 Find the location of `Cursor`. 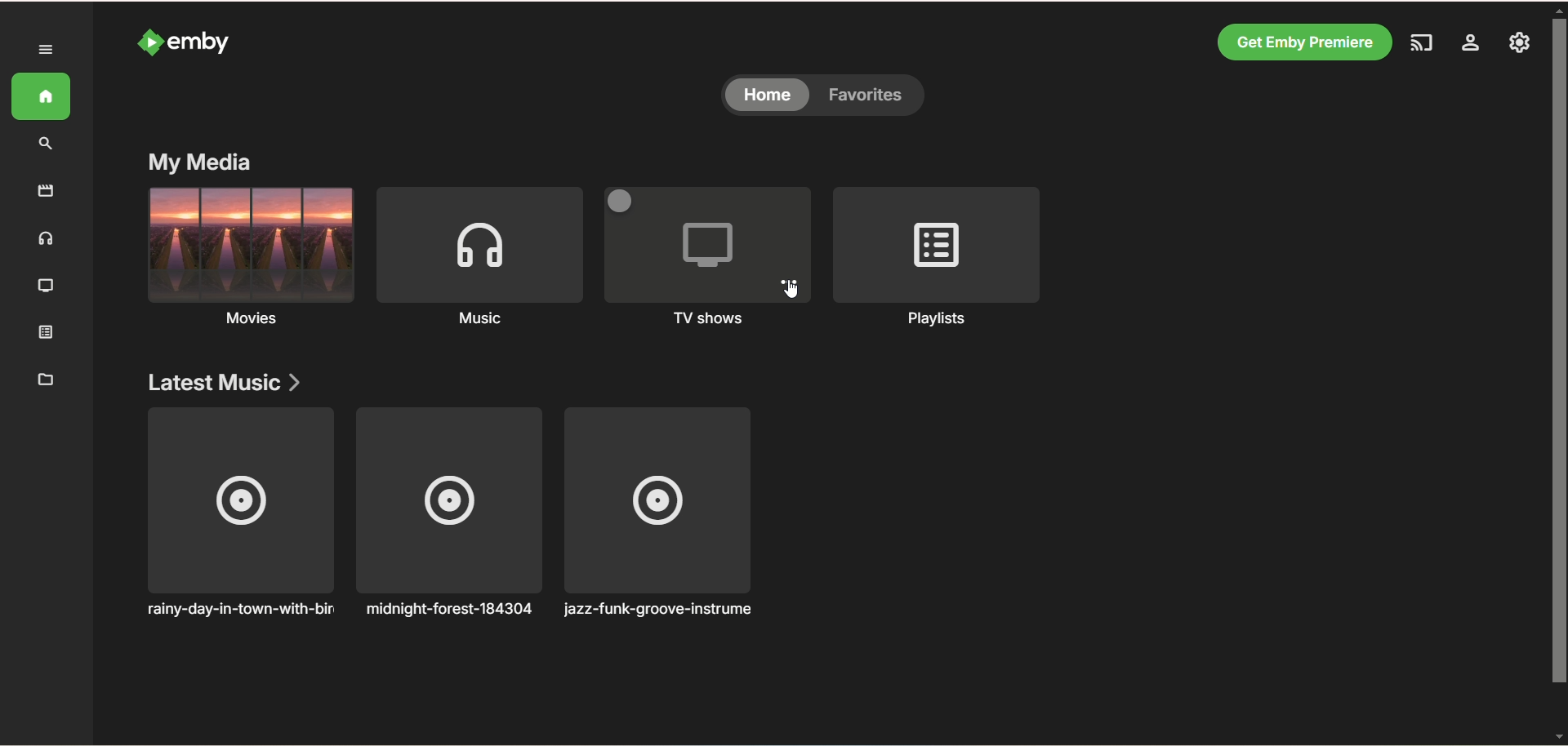

Cursor is located at coordinates (791, 290).